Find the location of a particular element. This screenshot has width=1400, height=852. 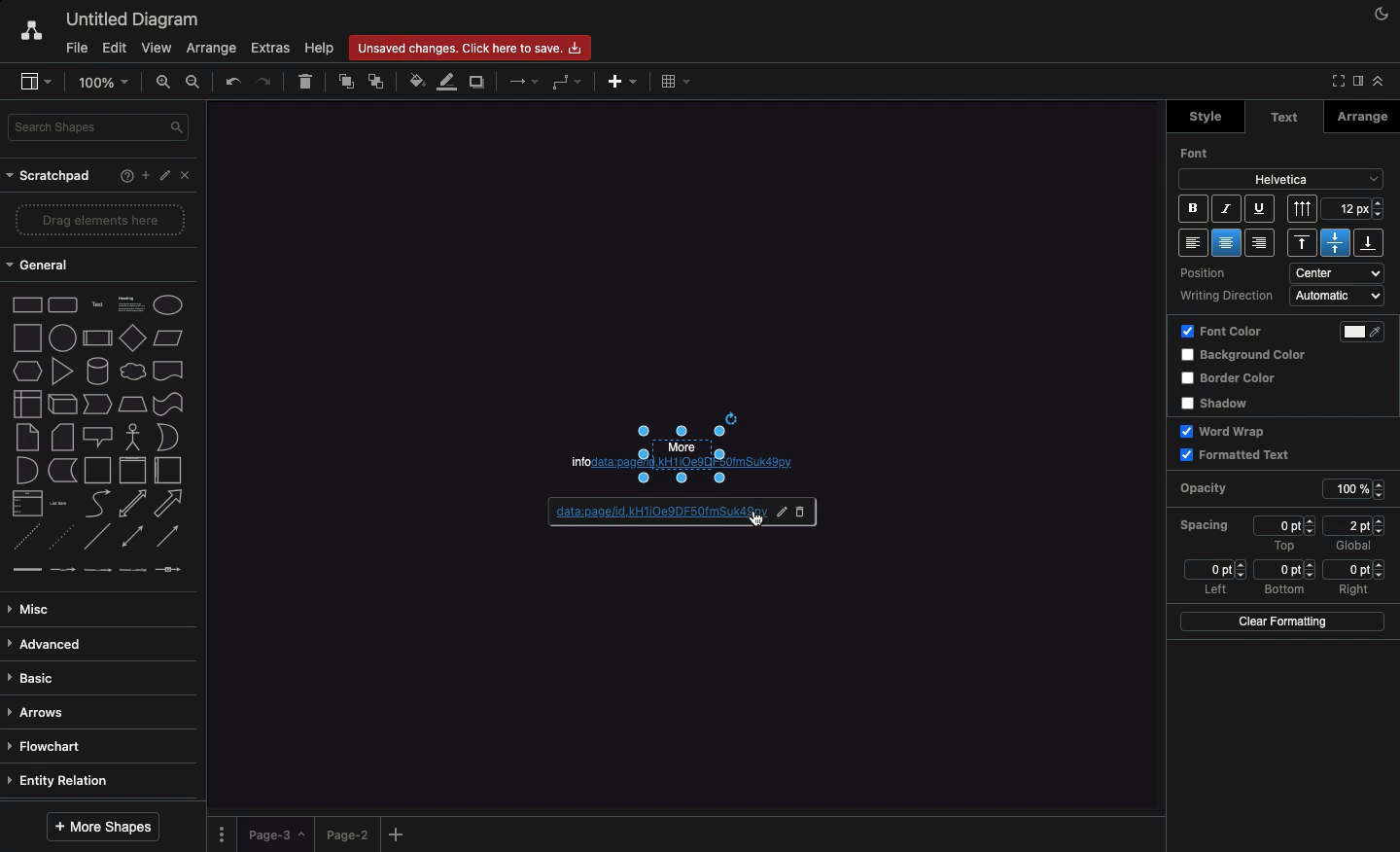

Table is located at coordinates (677, 81).